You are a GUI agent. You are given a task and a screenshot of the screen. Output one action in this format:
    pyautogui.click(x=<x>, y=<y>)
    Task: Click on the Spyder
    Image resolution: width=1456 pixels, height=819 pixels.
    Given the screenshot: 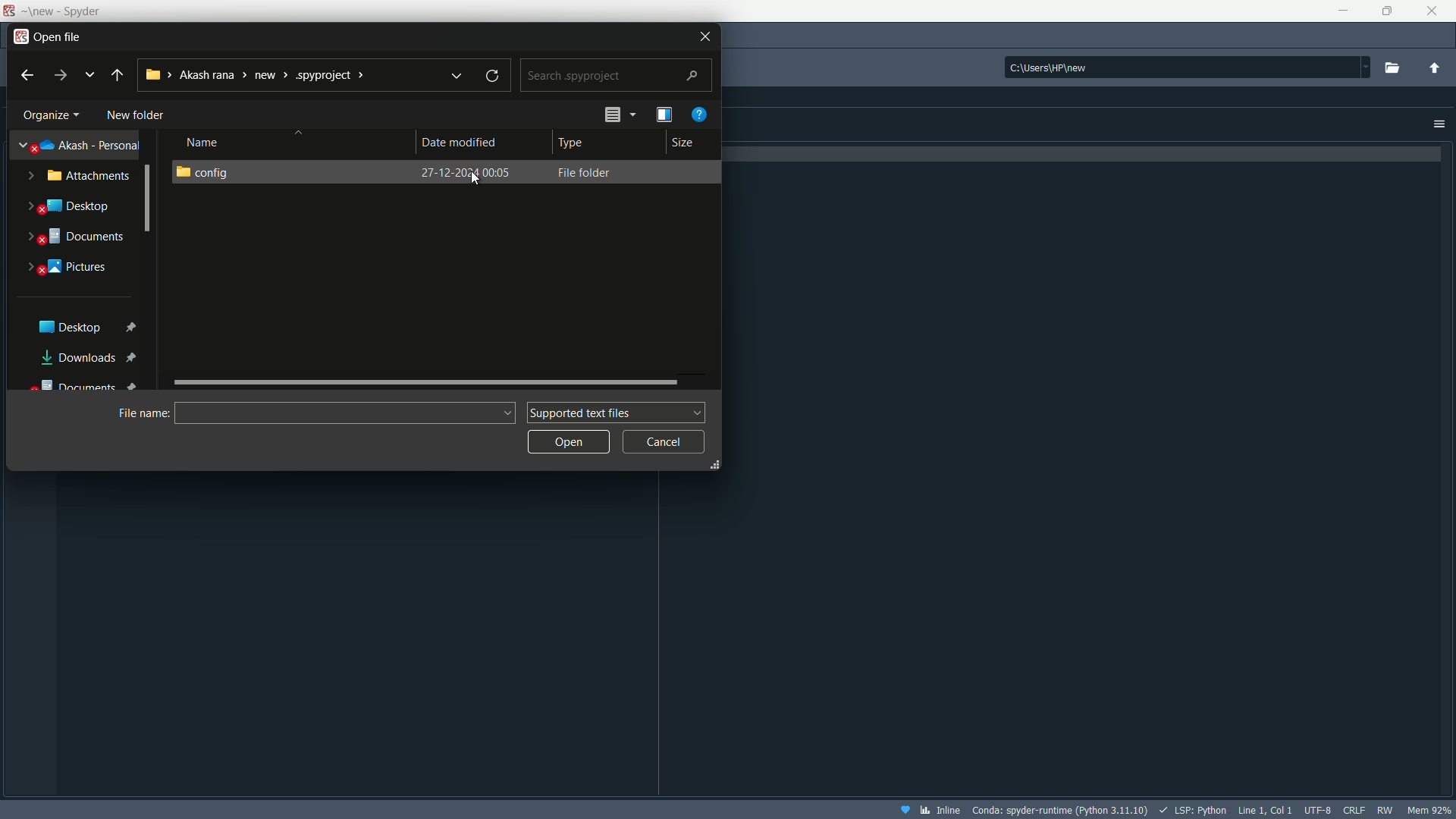 What is the action you would take?
    pyautogui.click(x=71, y=11)
    